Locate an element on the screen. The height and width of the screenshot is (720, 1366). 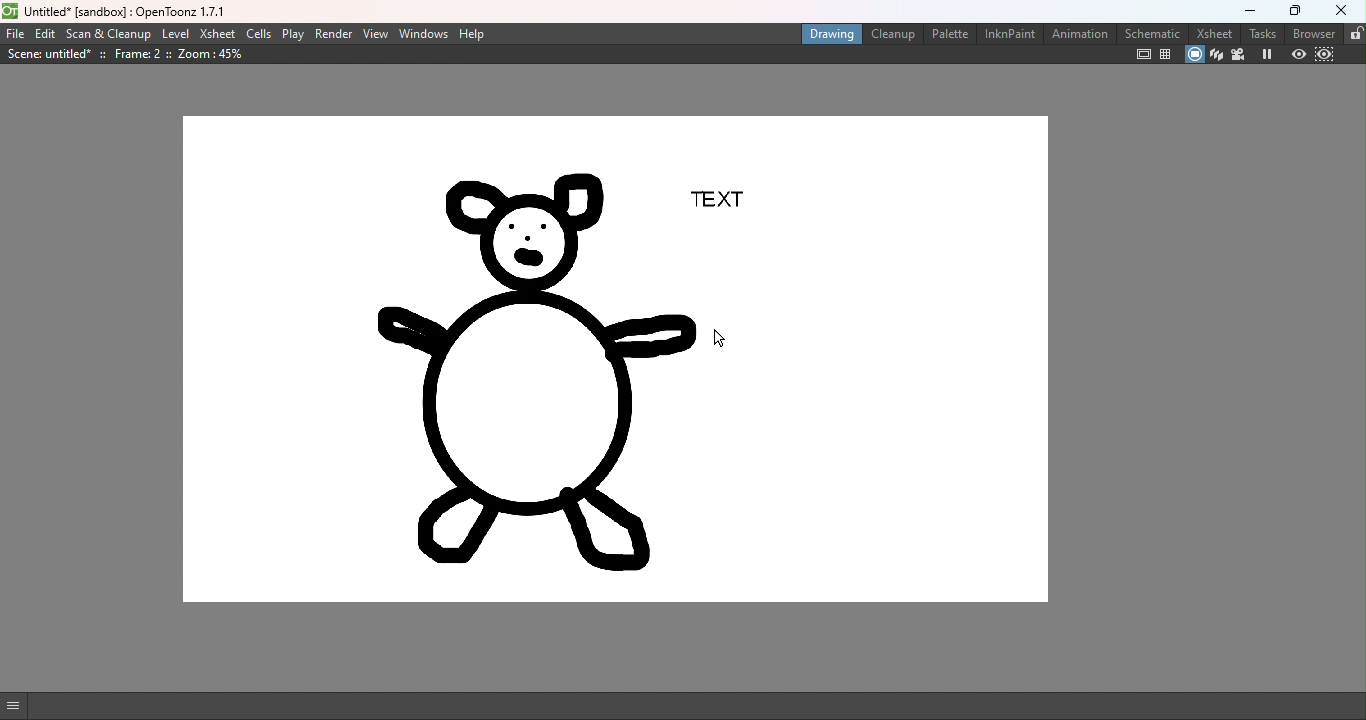
Schematic is located at coordinates (1153, 33).